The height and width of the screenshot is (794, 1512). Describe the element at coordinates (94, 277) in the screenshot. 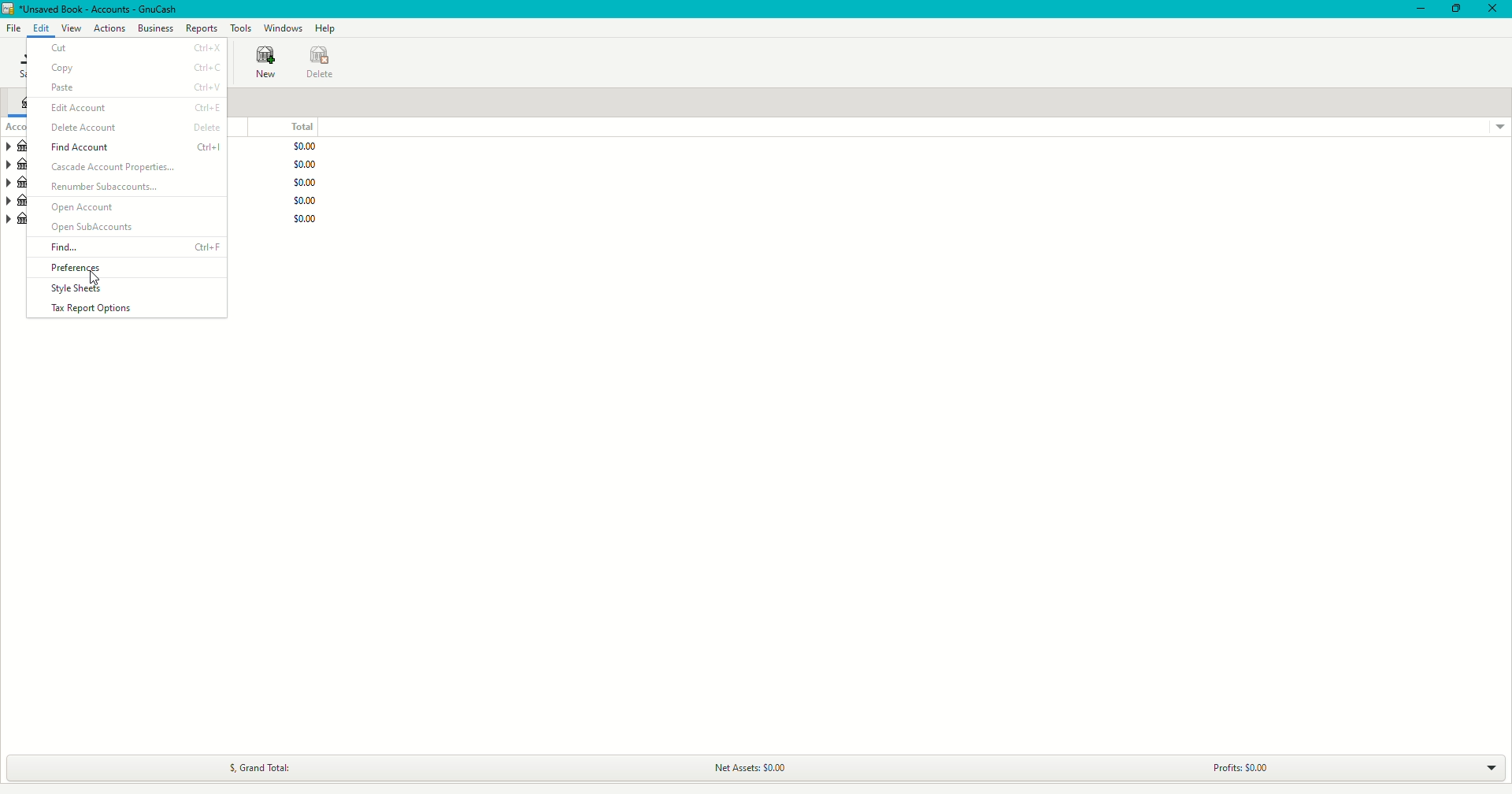

I see `cursor` at that location.